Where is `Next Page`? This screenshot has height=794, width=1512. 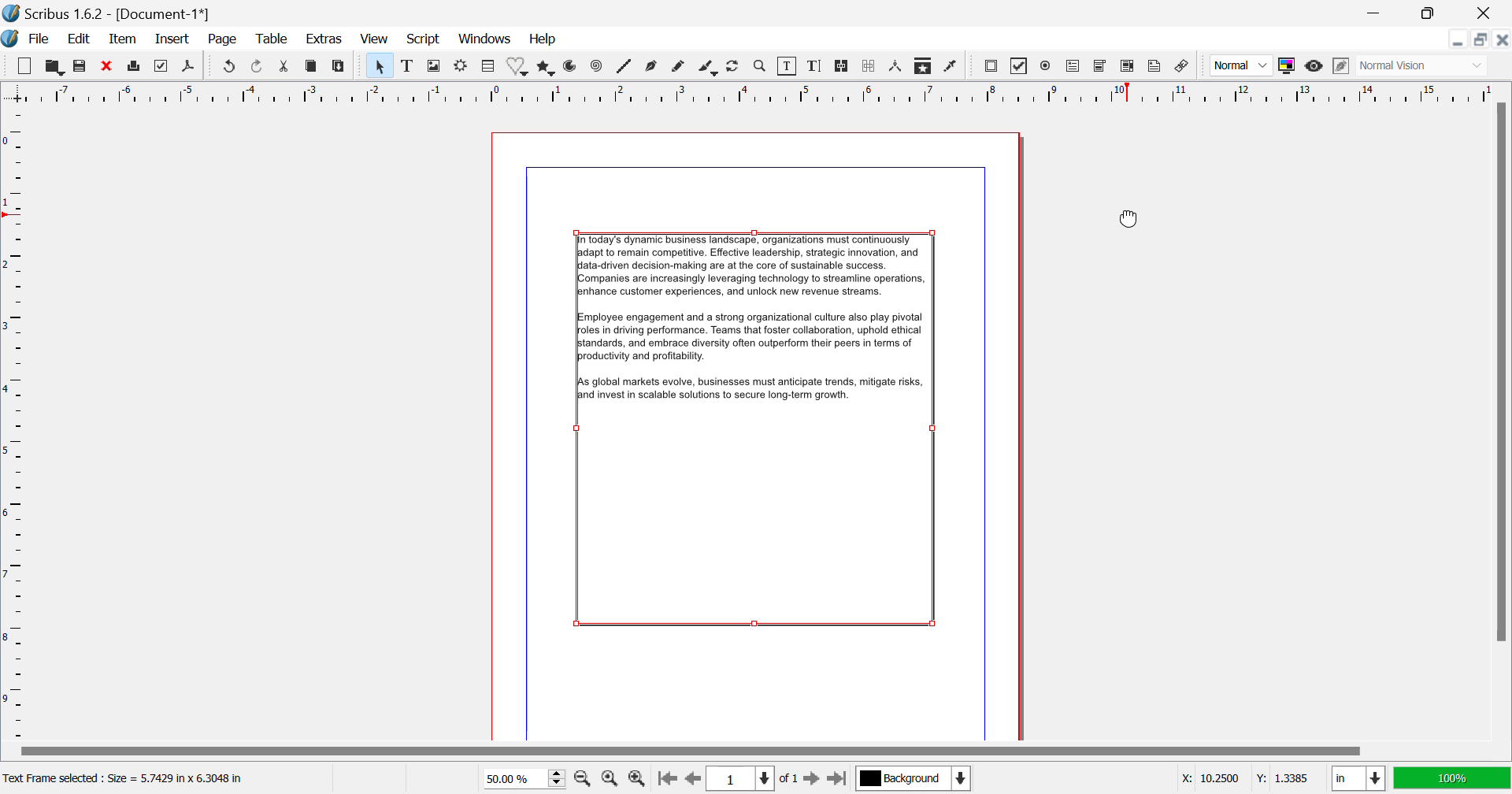 Next Page is located at coordinates (813, 779).